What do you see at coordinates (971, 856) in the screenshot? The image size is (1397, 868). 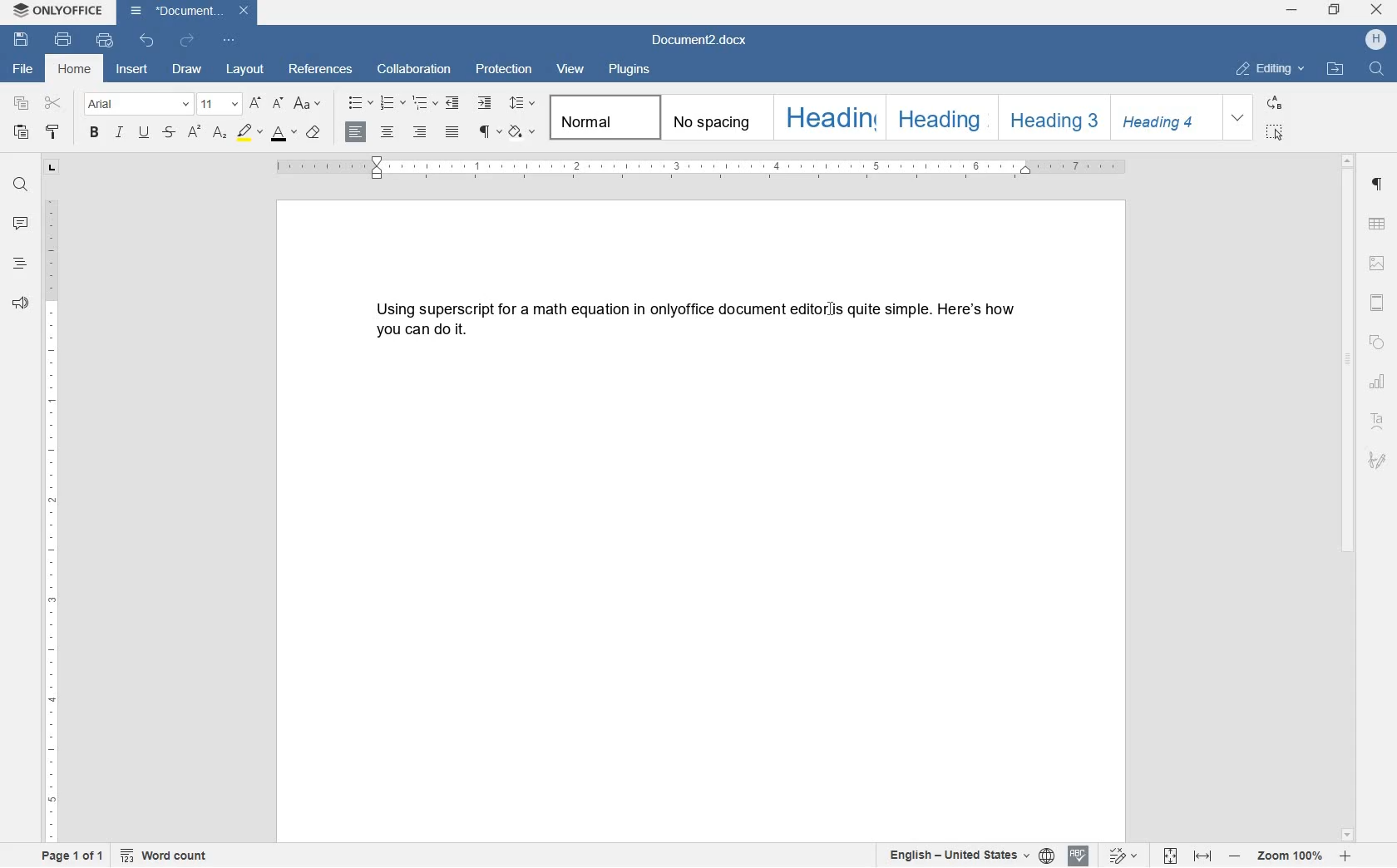 I see `set text or document language` at bounding box center [971, 856].